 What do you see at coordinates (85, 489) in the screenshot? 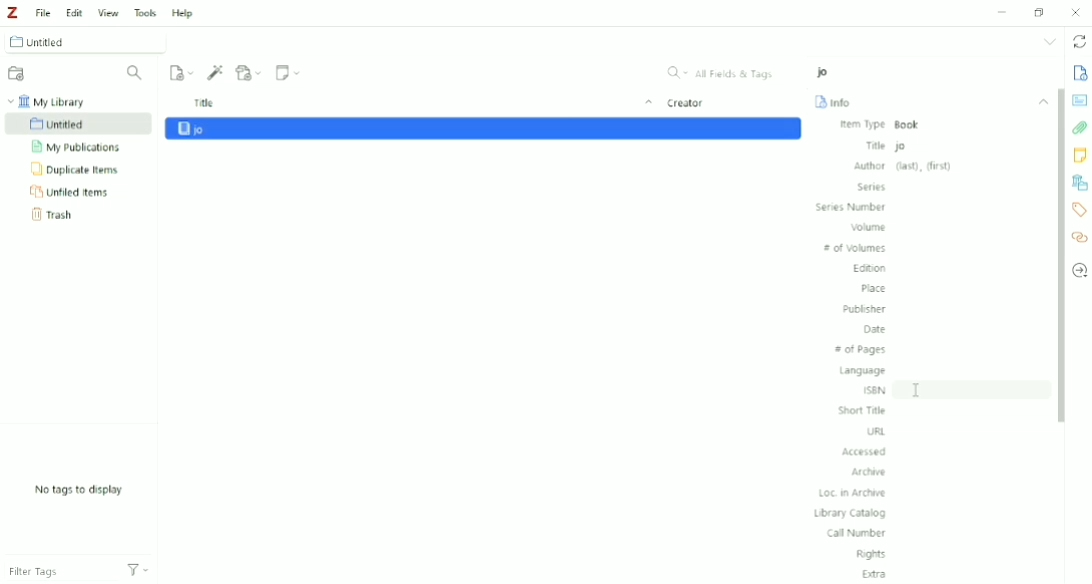
I see `No tags to display` at bounding box center [85, 489].